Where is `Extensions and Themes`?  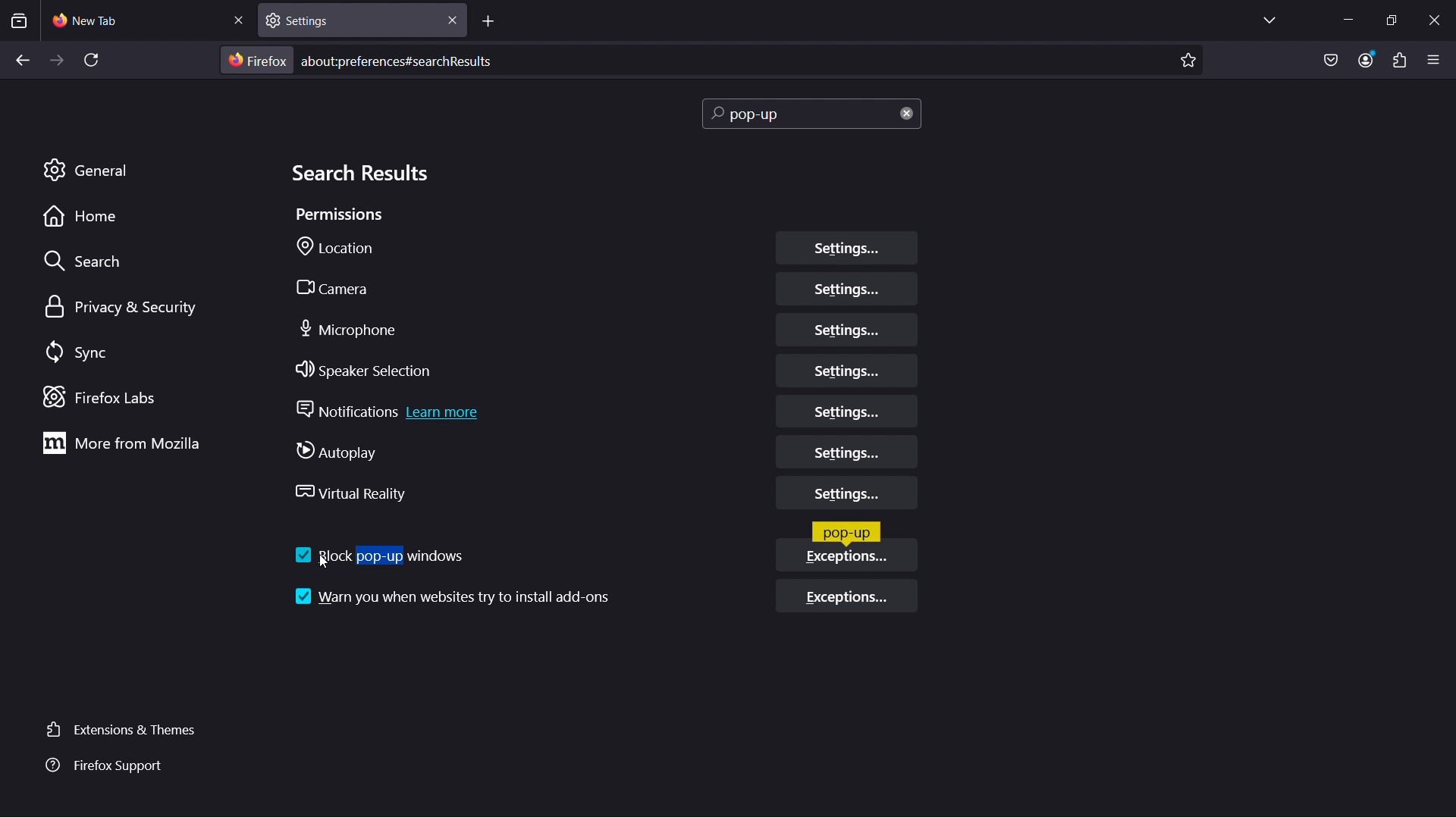 Extensions and Themes is located at coordinates (126, 729).